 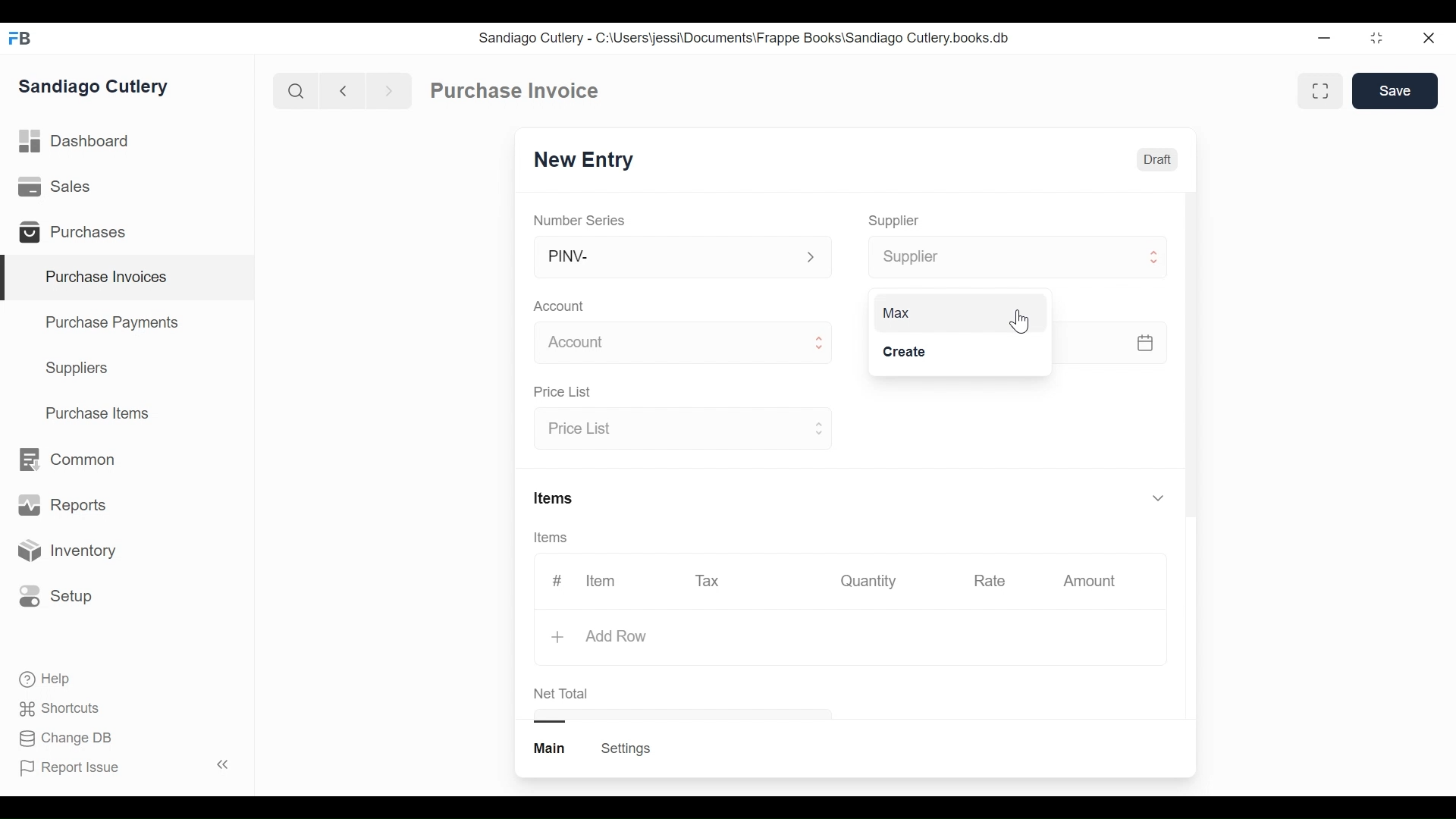 I want to click on Expand, so click(x=1153, y=257).